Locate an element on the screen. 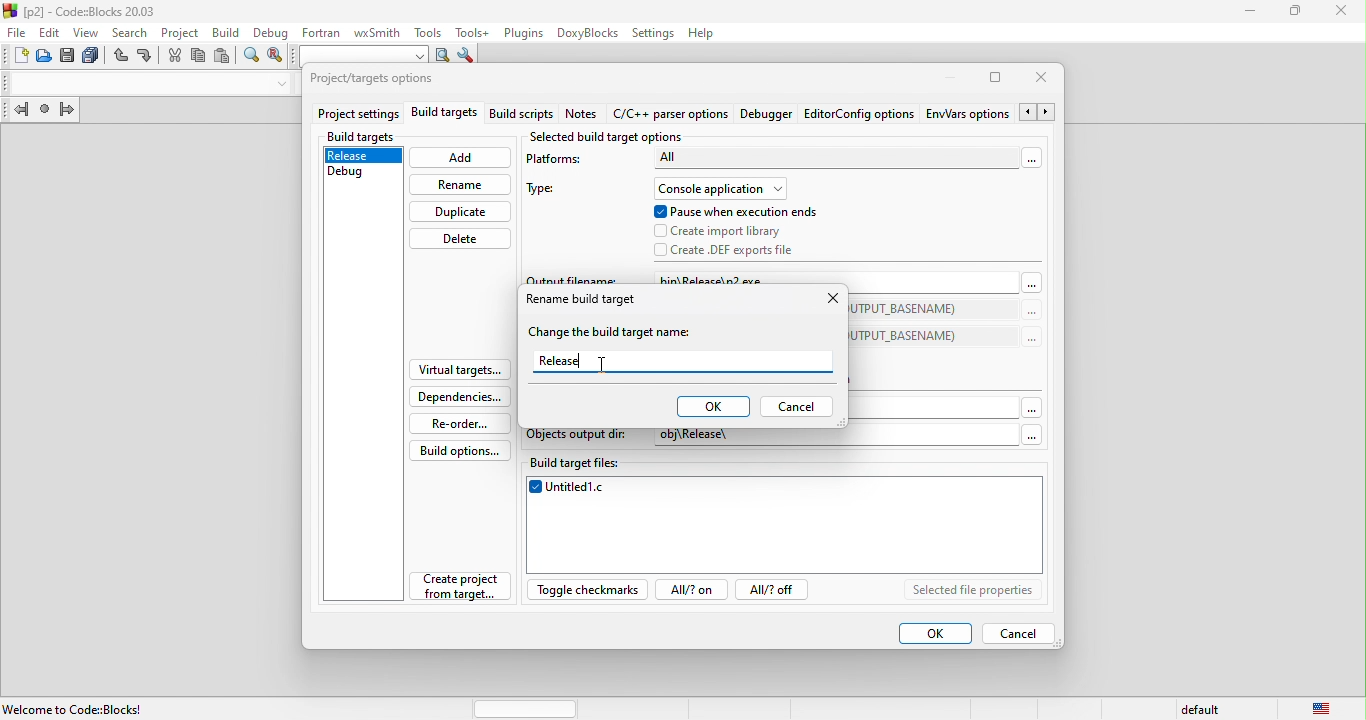 This screenshot has height=720, width=1366. jump forward  is located at coordinates (67, 111).